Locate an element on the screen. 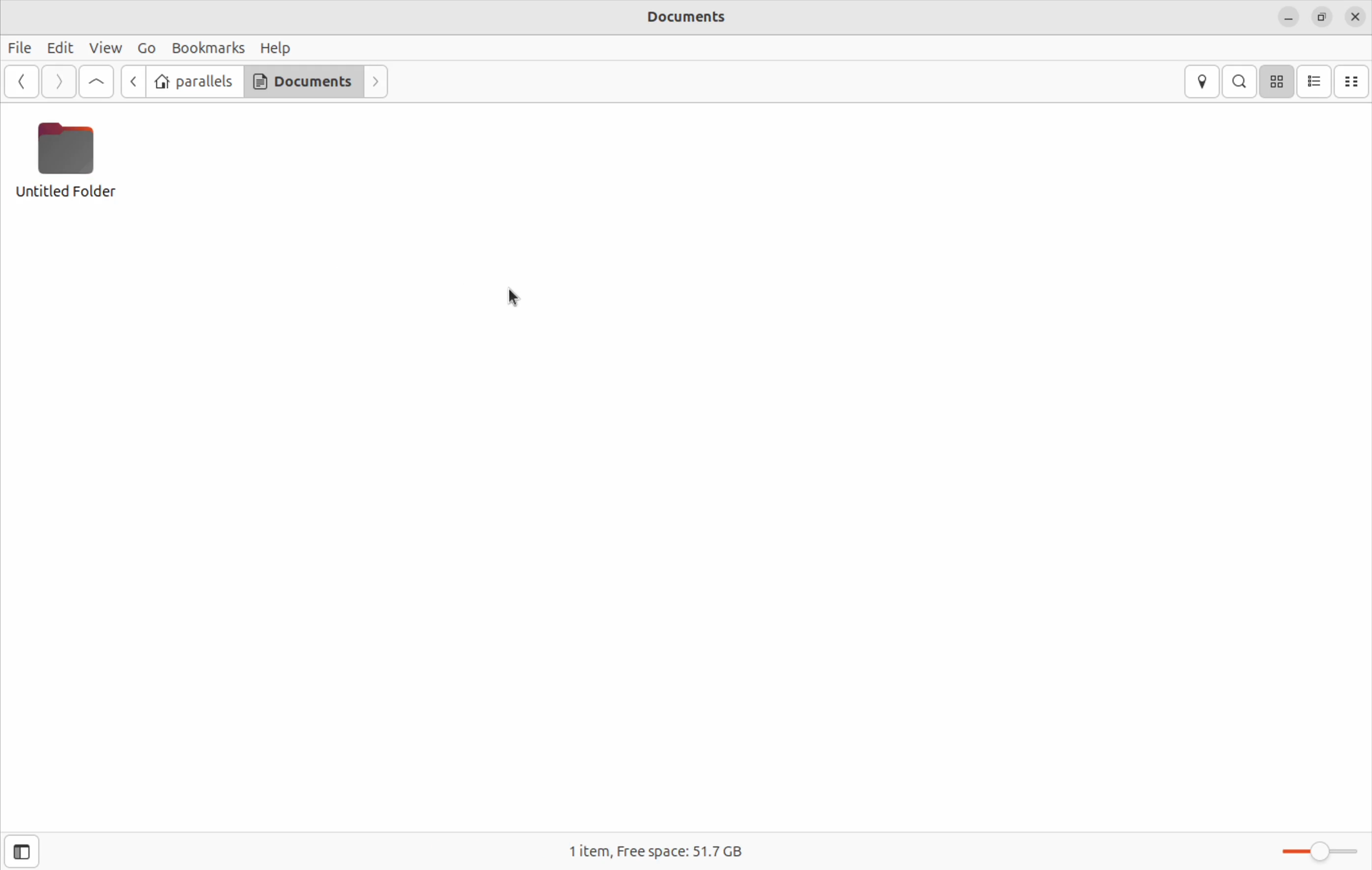 The image size is (1372, 870). Go back is located at coordinates (132, 81).